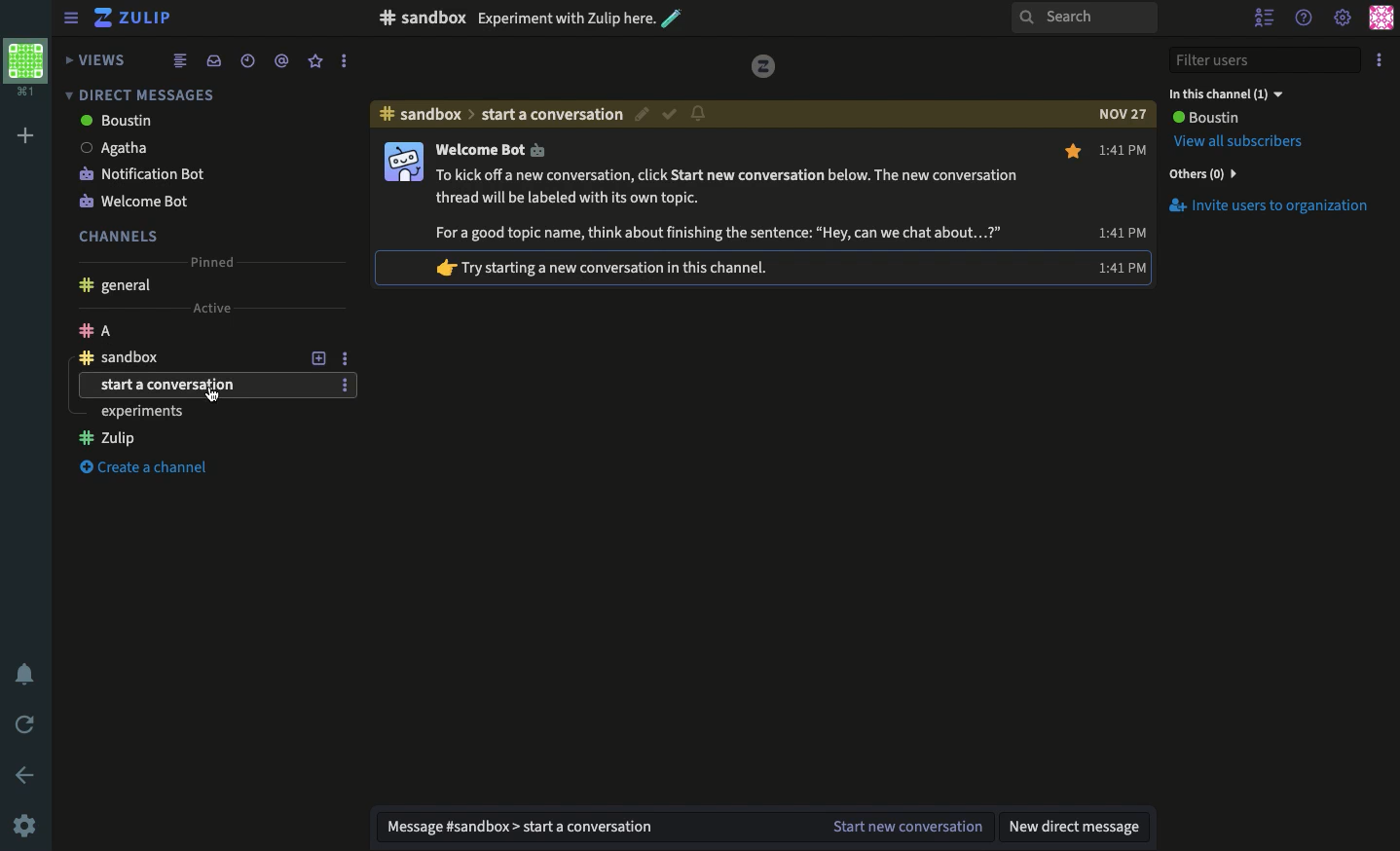 The height and width of the screenshot is (851, 1400). Describe the element at coordinates (184, 200) in the screenshot. I see `Welcome bot` at that location.